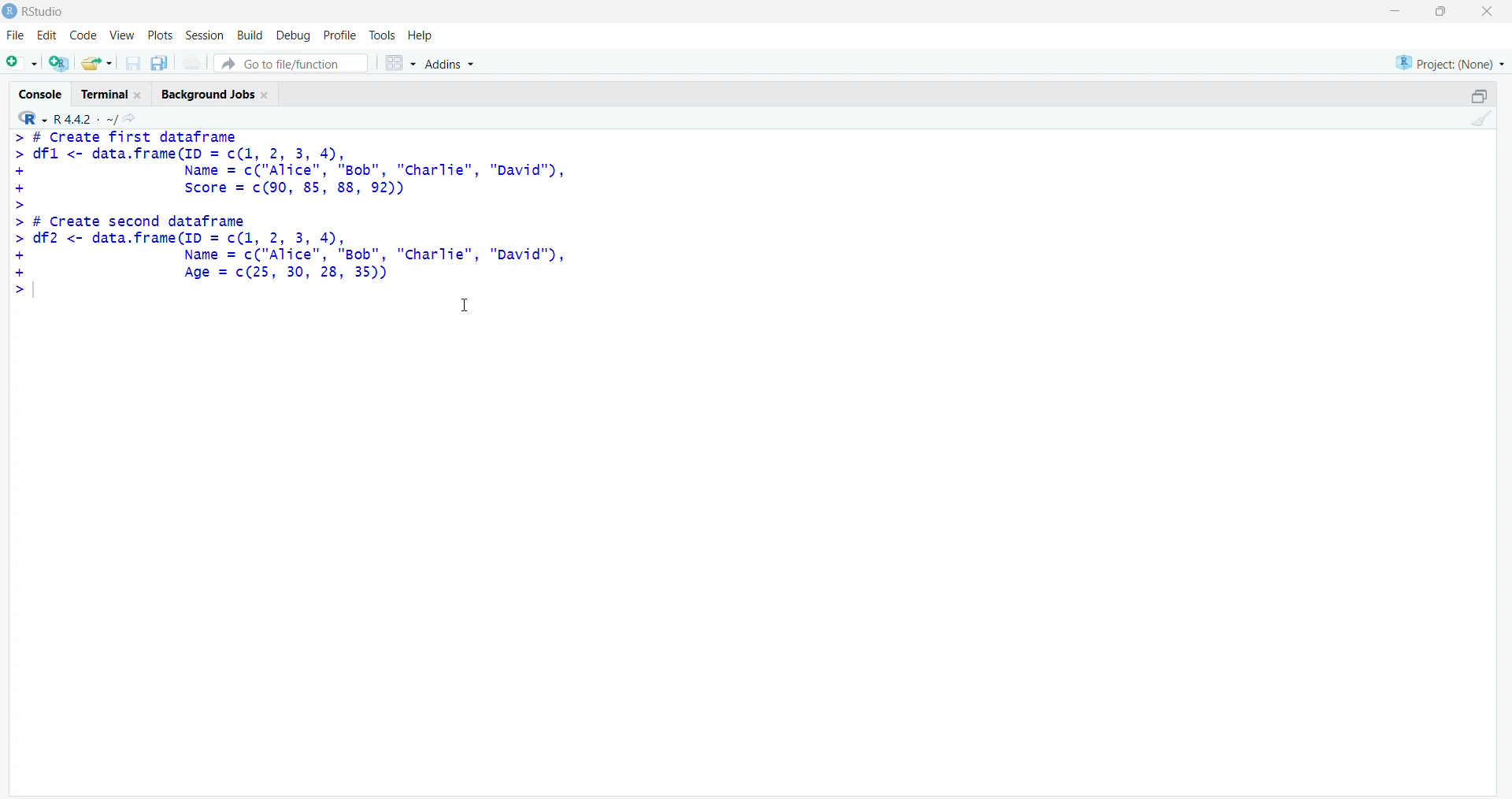 This screenshot has width=1512, height=799. I want to click on share folder as, so click(98, 63).